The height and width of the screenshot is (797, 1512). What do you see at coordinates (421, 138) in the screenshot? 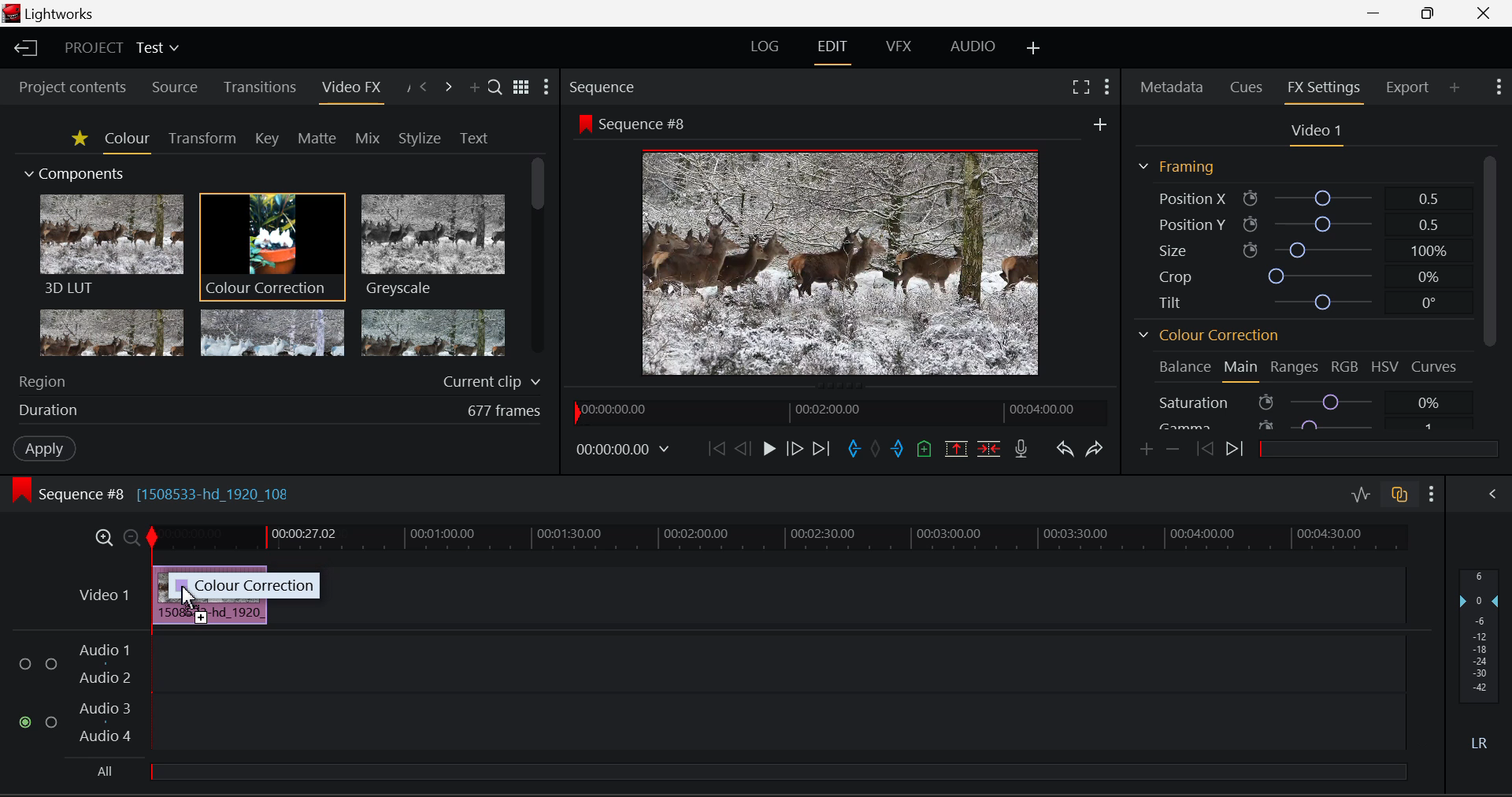
I see `Stylize` at bounding box center [421, 138].